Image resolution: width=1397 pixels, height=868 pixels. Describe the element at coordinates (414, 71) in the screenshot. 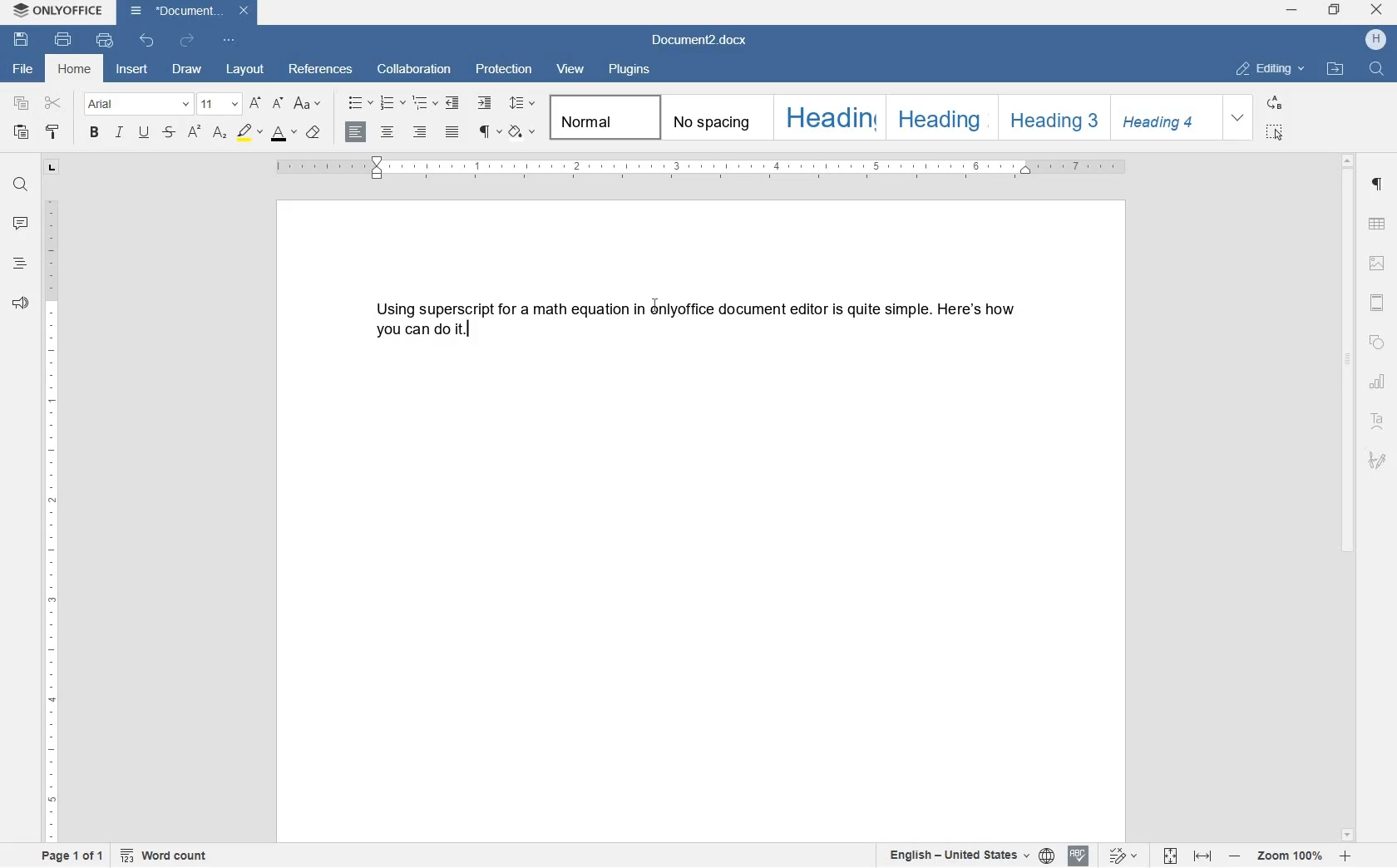

I see `collaboration` at that location.